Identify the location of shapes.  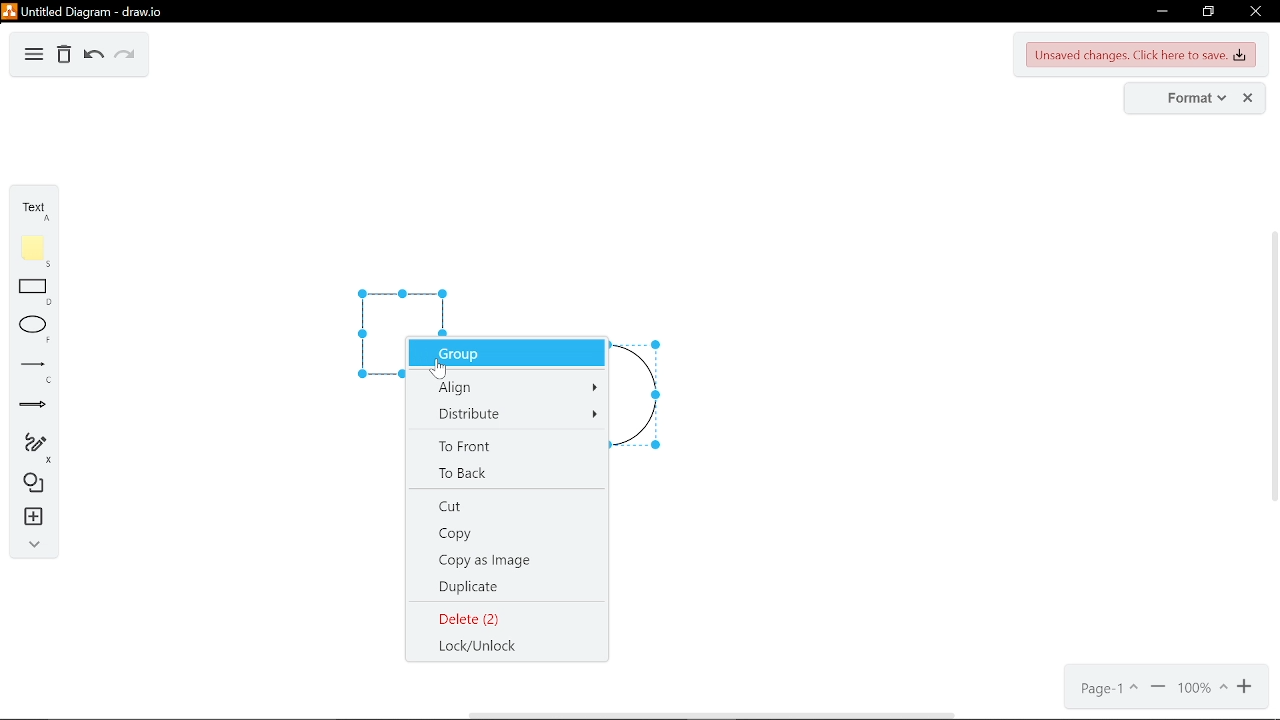
(30, 484).